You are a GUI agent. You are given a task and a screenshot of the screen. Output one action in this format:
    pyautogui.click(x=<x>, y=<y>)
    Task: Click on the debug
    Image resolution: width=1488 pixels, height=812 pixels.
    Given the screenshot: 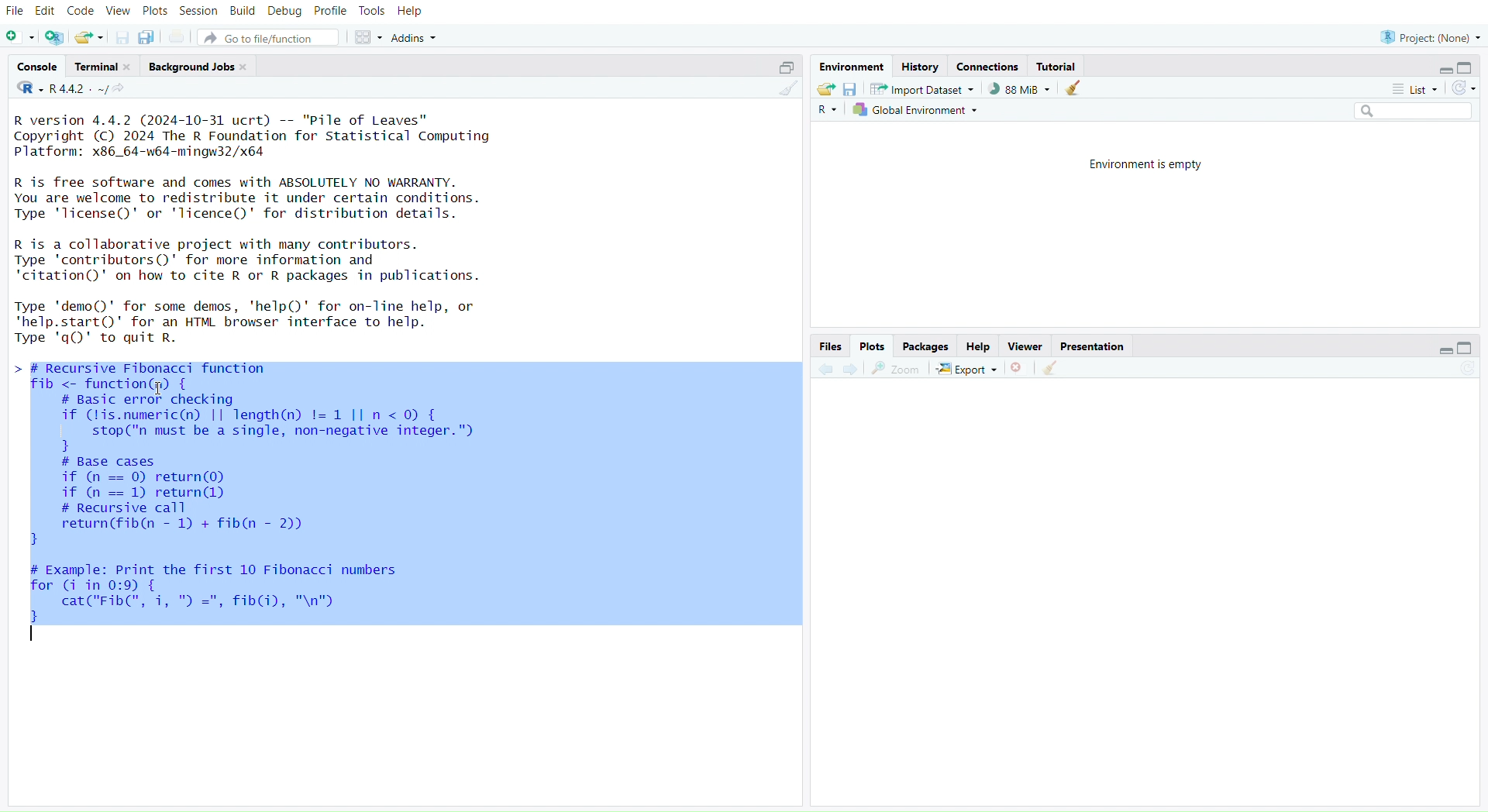 What is the action you would take?
    pyautogui.click(x=285, y=12)
    